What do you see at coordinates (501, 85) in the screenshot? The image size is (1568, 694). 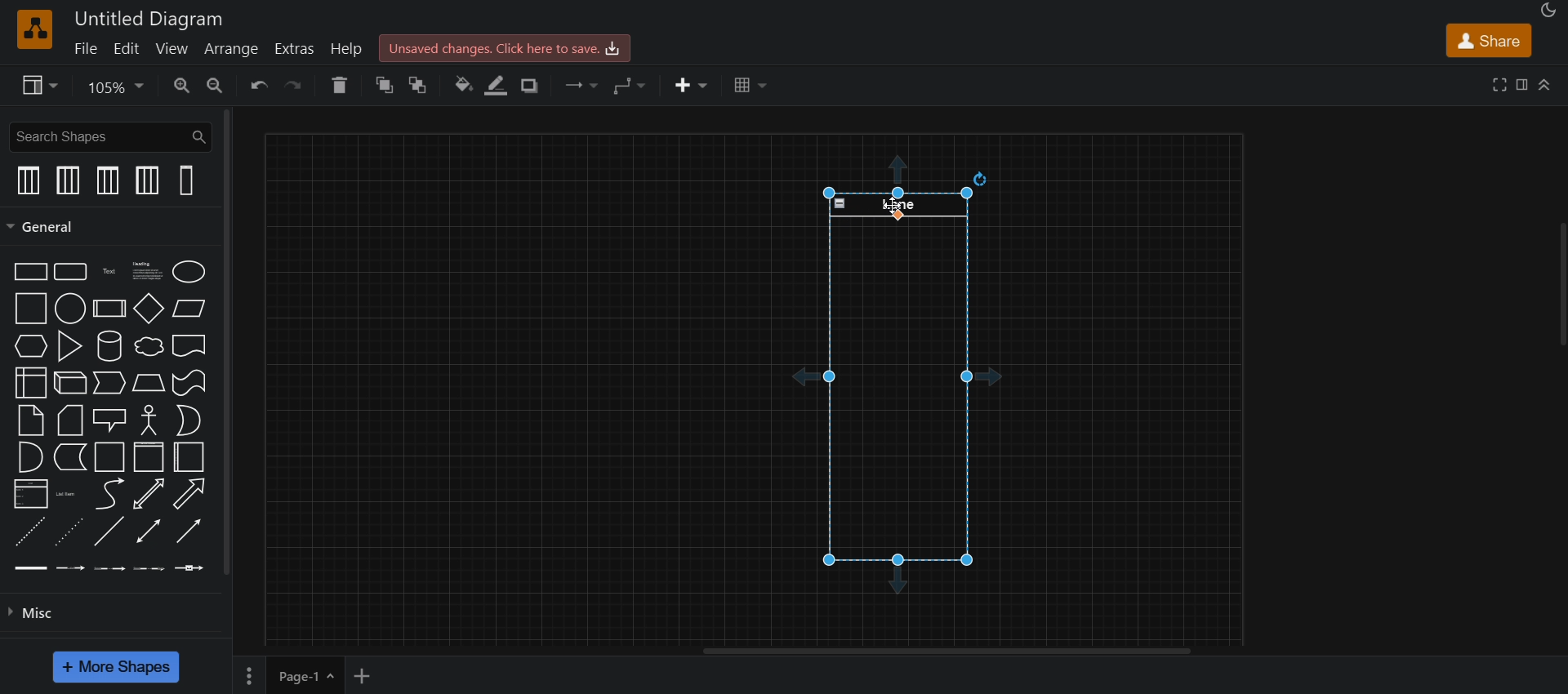 I see `line color` at bounding box center [501, 85].